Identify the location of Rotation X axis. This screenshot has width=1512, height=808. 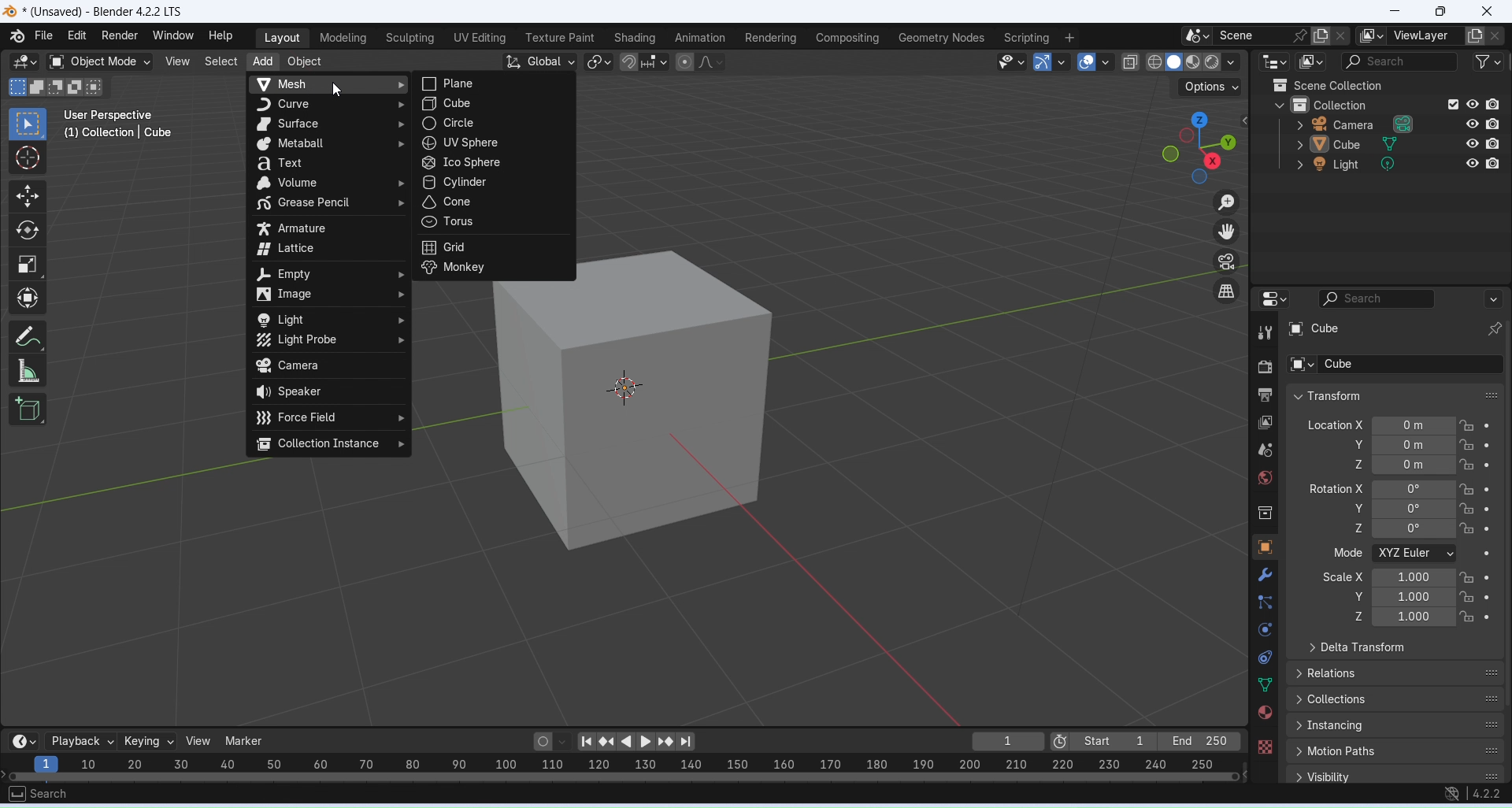
(1336, 487).